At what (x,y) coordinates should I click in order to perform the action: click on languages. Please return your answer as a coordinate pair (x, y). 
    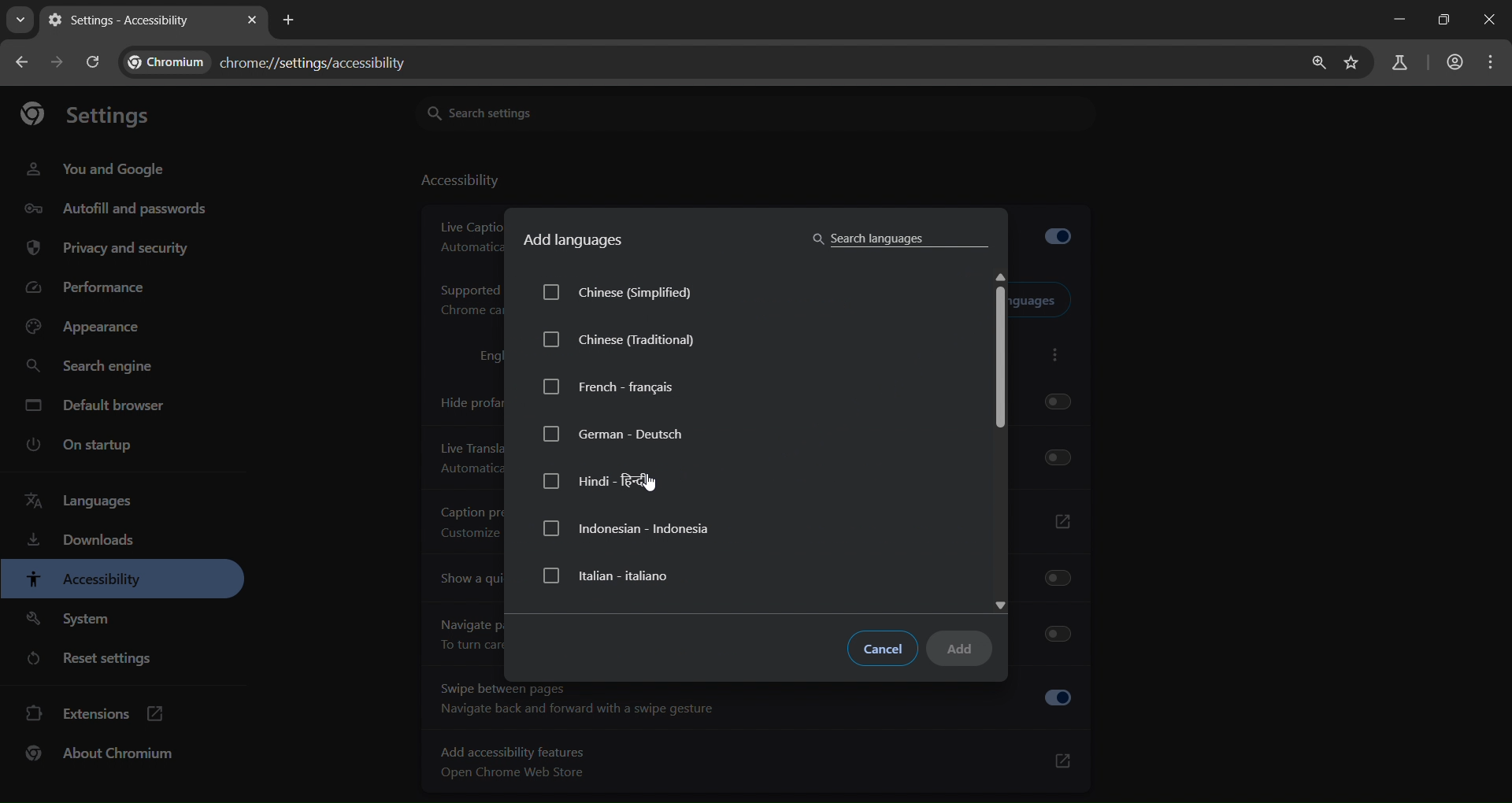
    Looking at the image, I should click on (77, 501).